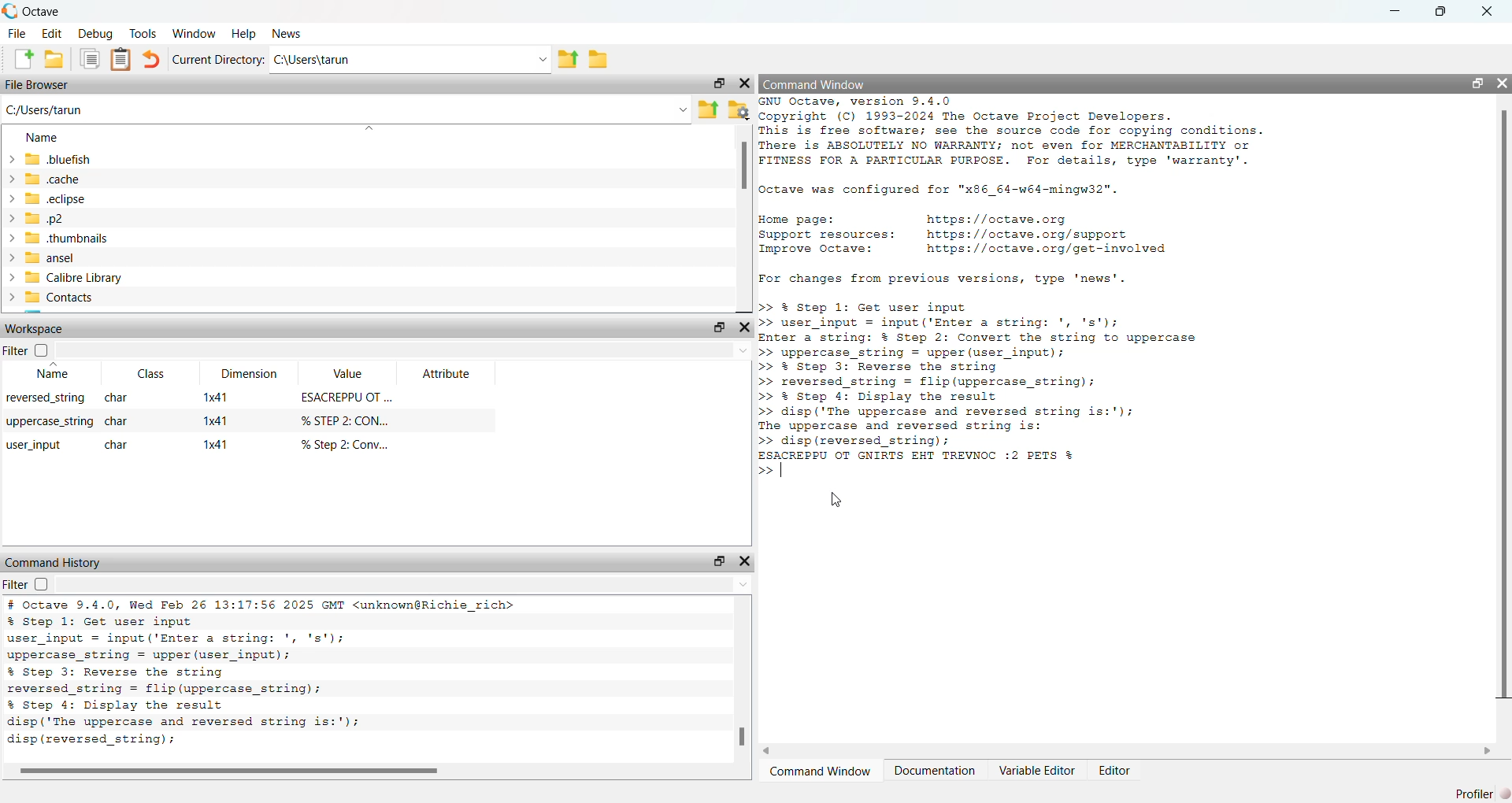  Describe the element at coordinates (447, 375) in the screenshot. I see `attribute` at that location.